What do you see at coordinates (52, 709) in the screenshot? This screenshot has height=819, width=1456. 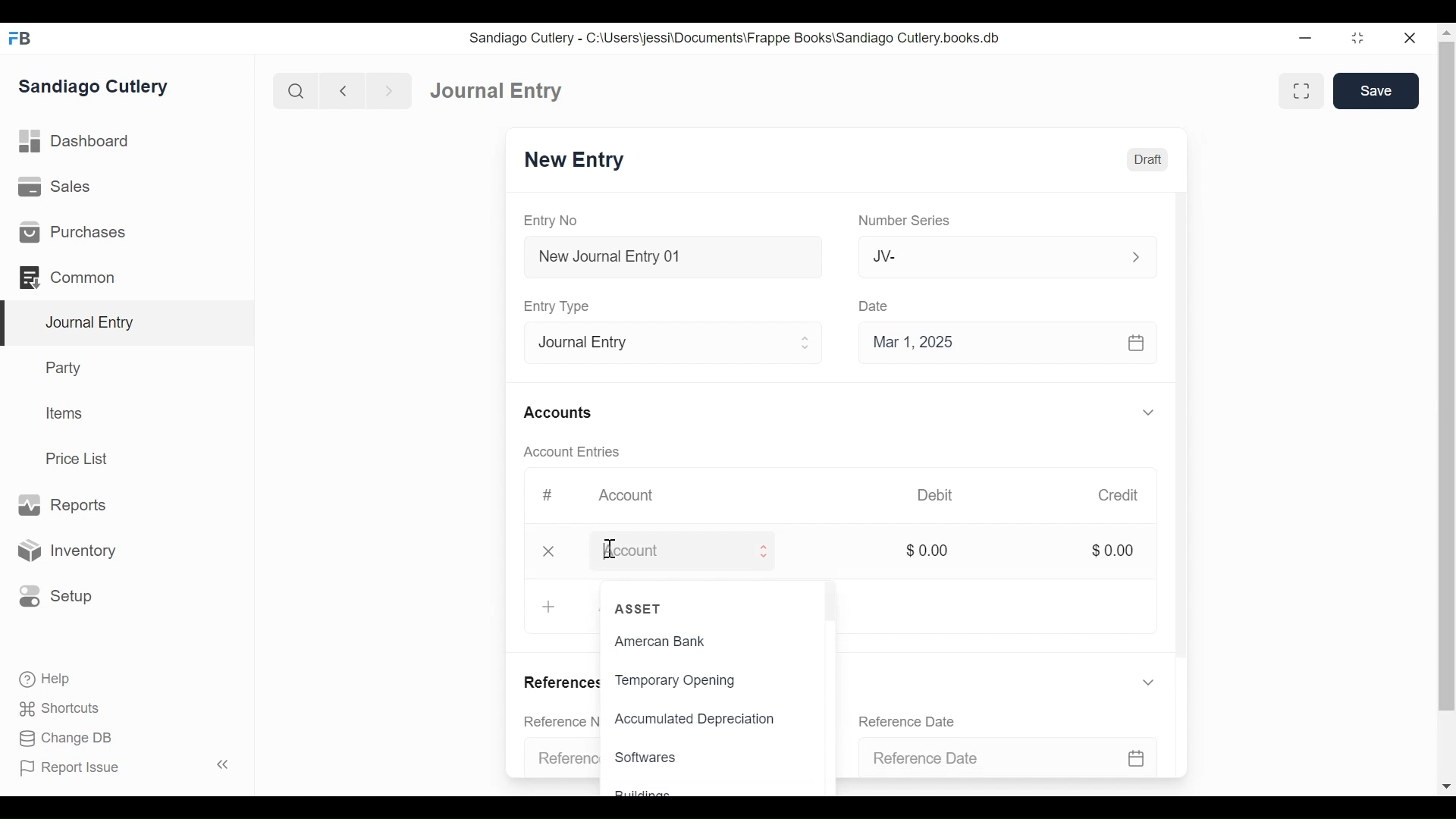 I see `Shortcuts` at bounding box center [52, 709].